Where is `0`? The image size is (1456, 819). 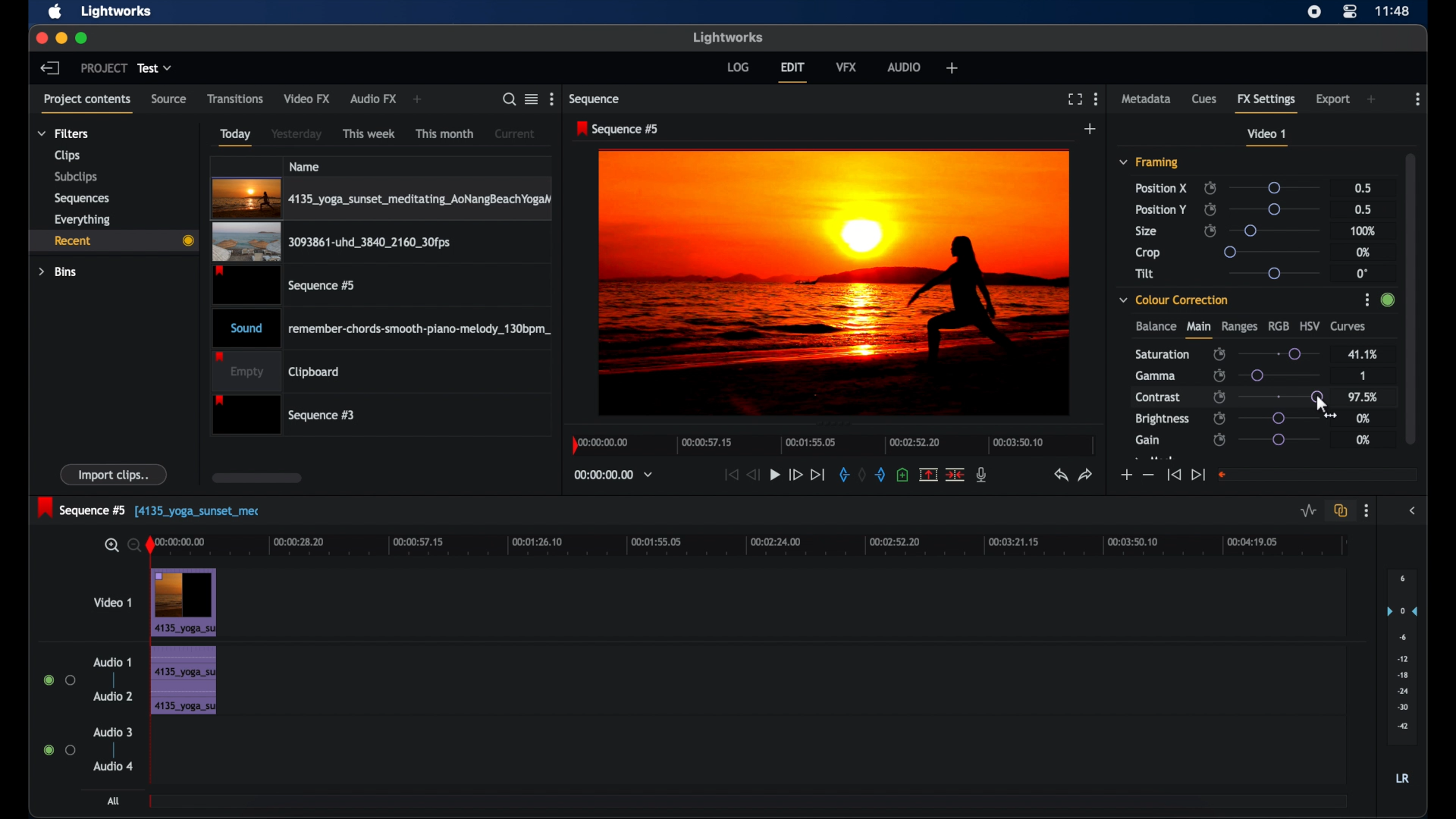 0 is located at coordinates (1362, 273).